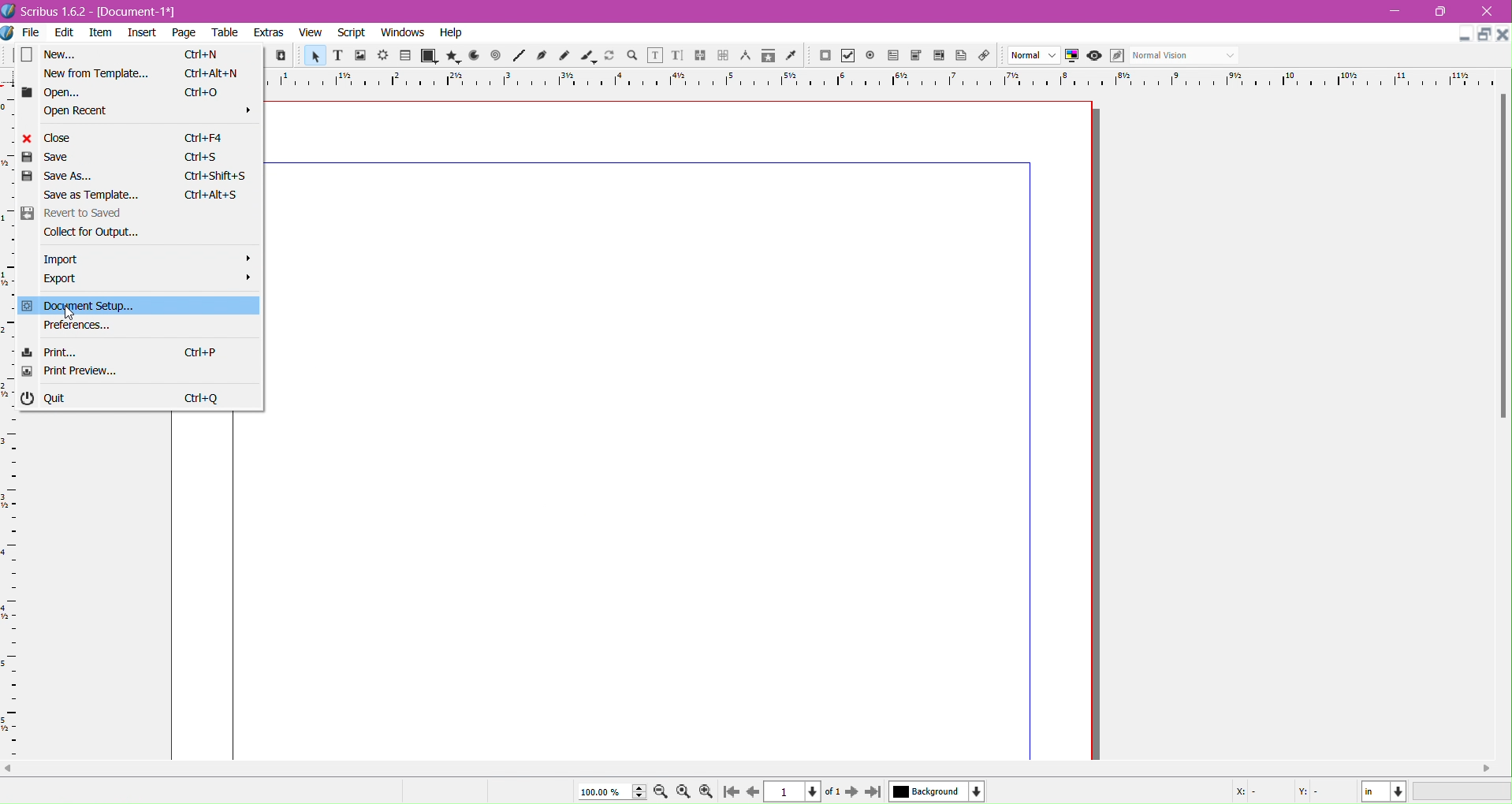  What do you see at coordinates (56, 176) in the screenshot?
I see `save as` at bounding box center [56, 176].